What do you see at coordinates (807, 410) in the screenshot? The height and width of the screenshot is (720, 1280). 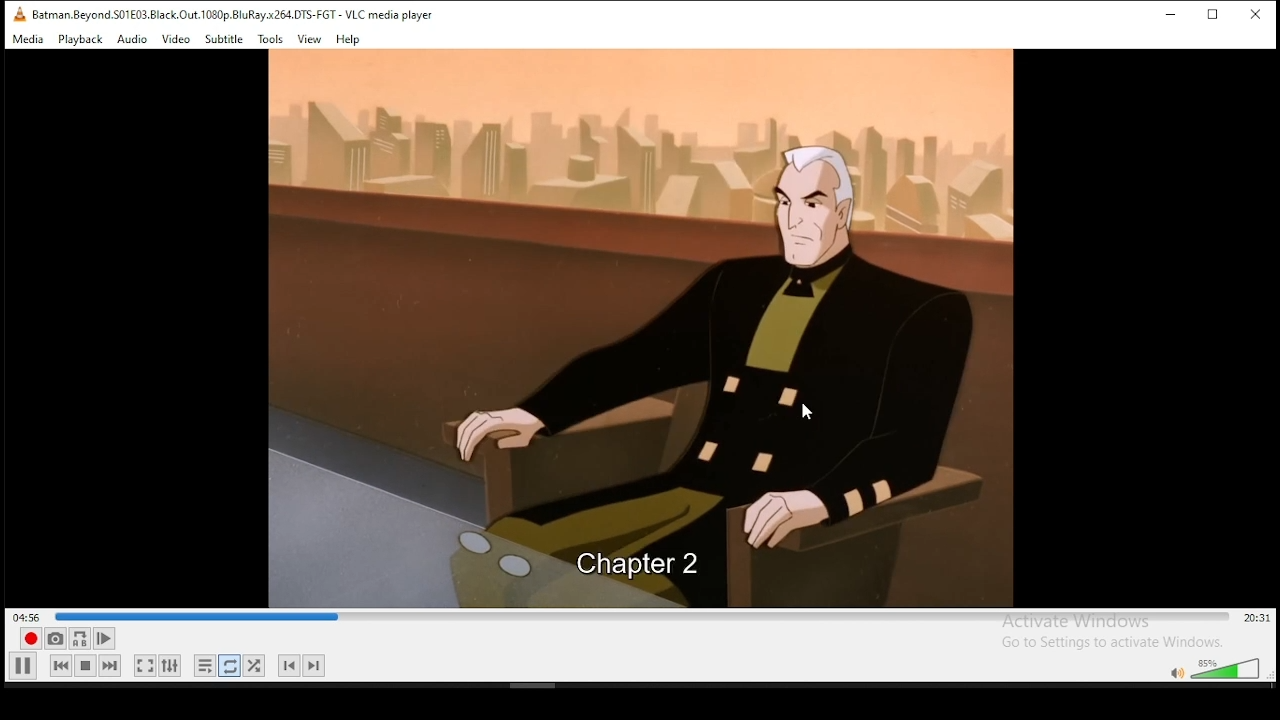 I see `cursor` at bounding box center [807, 410].